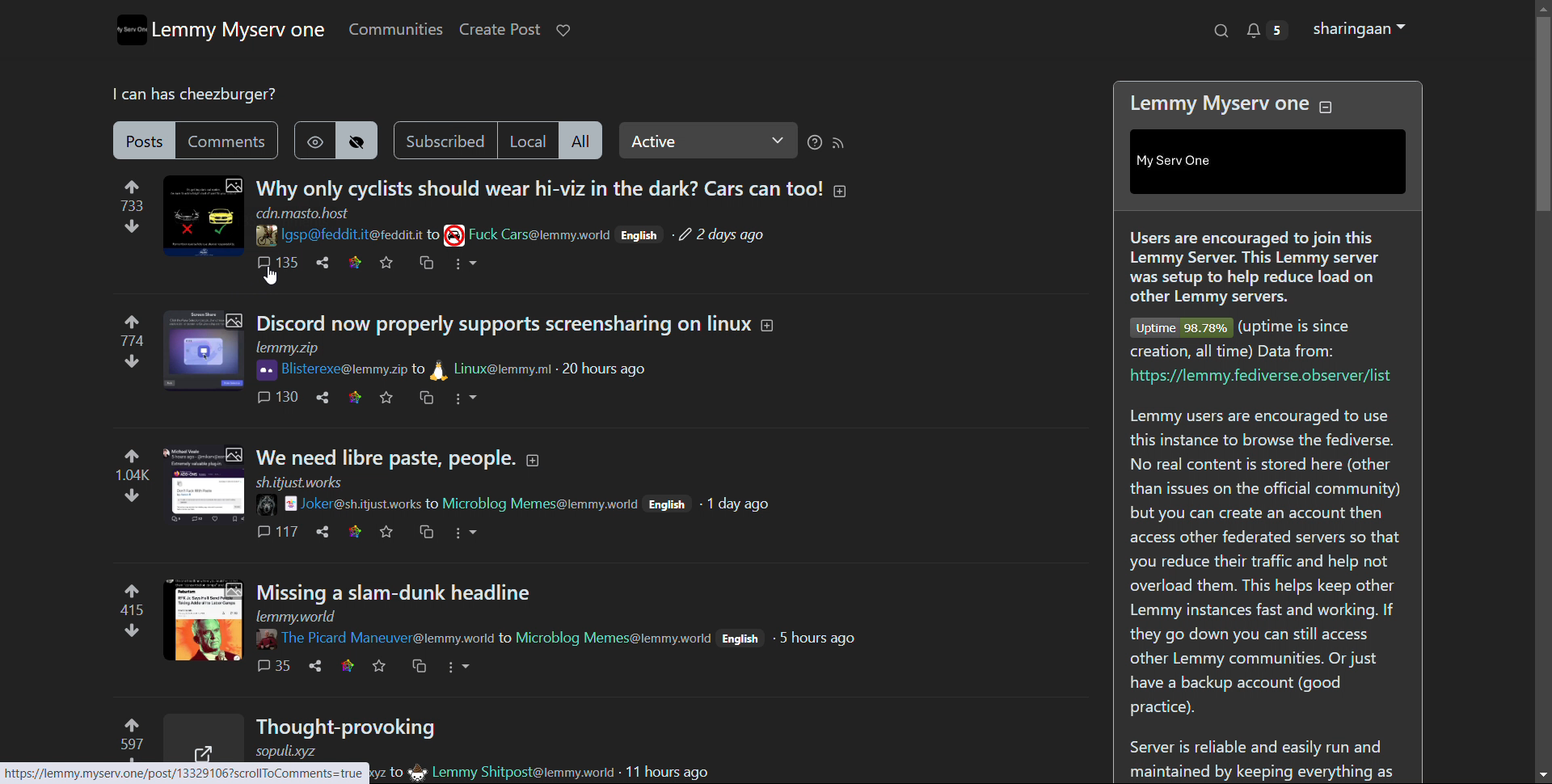 The width and height of the screenshot is (1552, 784). Describe the element at coordinates (314, 140) in the screenshot. I see `show hidden posts` at that location.